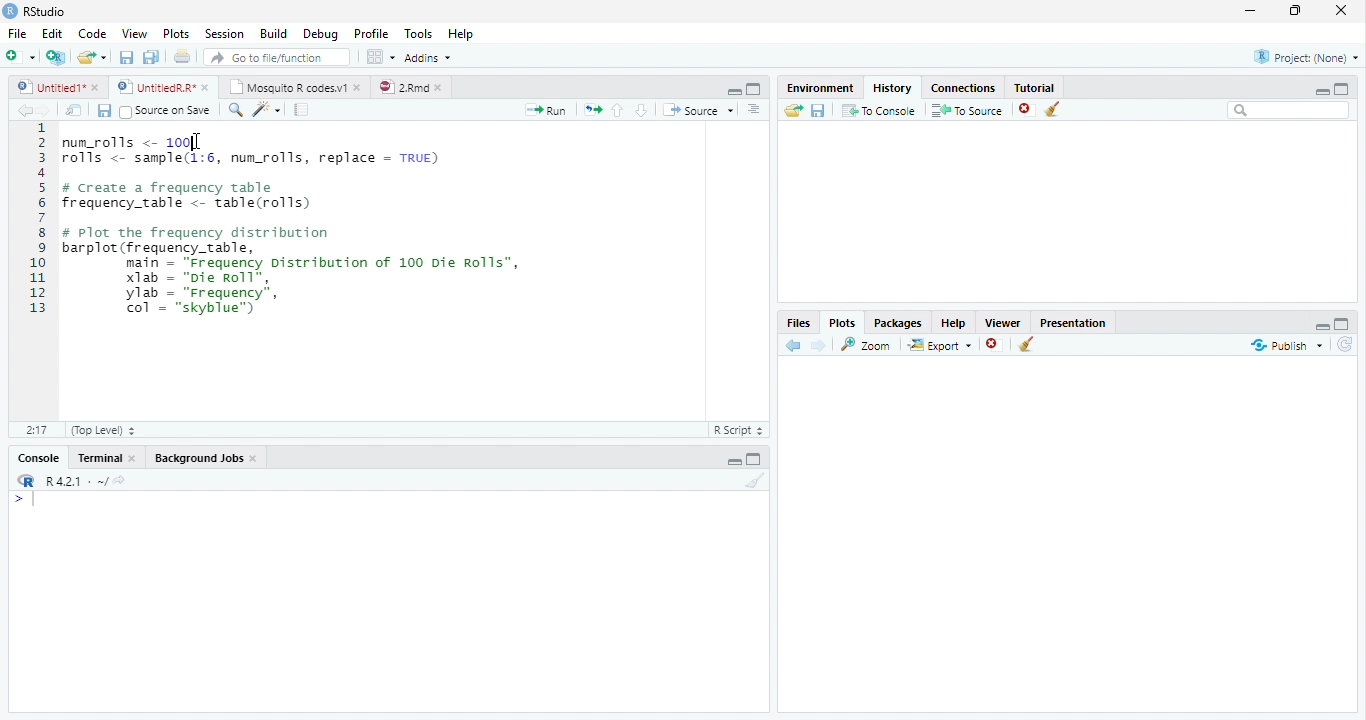  I want to click on 1:1, so click(35, 430).